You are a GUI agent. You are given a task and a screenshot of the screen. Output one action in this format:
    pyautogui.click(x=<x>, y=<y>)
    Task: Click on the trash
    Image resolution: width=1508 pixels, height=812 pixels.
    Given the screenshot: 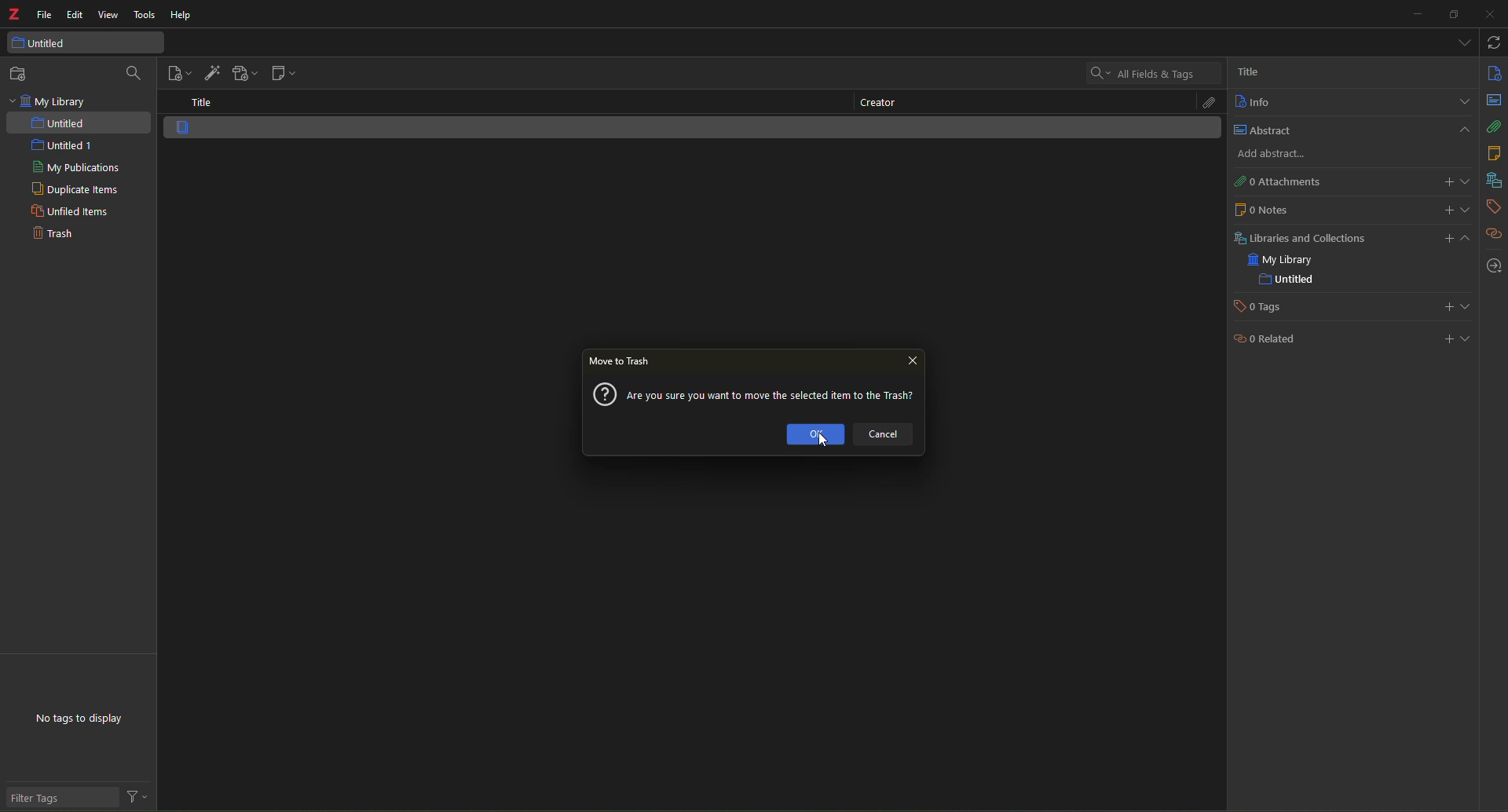 What is the action you would take?
    pyautogui.click(x=51, y=235)
    